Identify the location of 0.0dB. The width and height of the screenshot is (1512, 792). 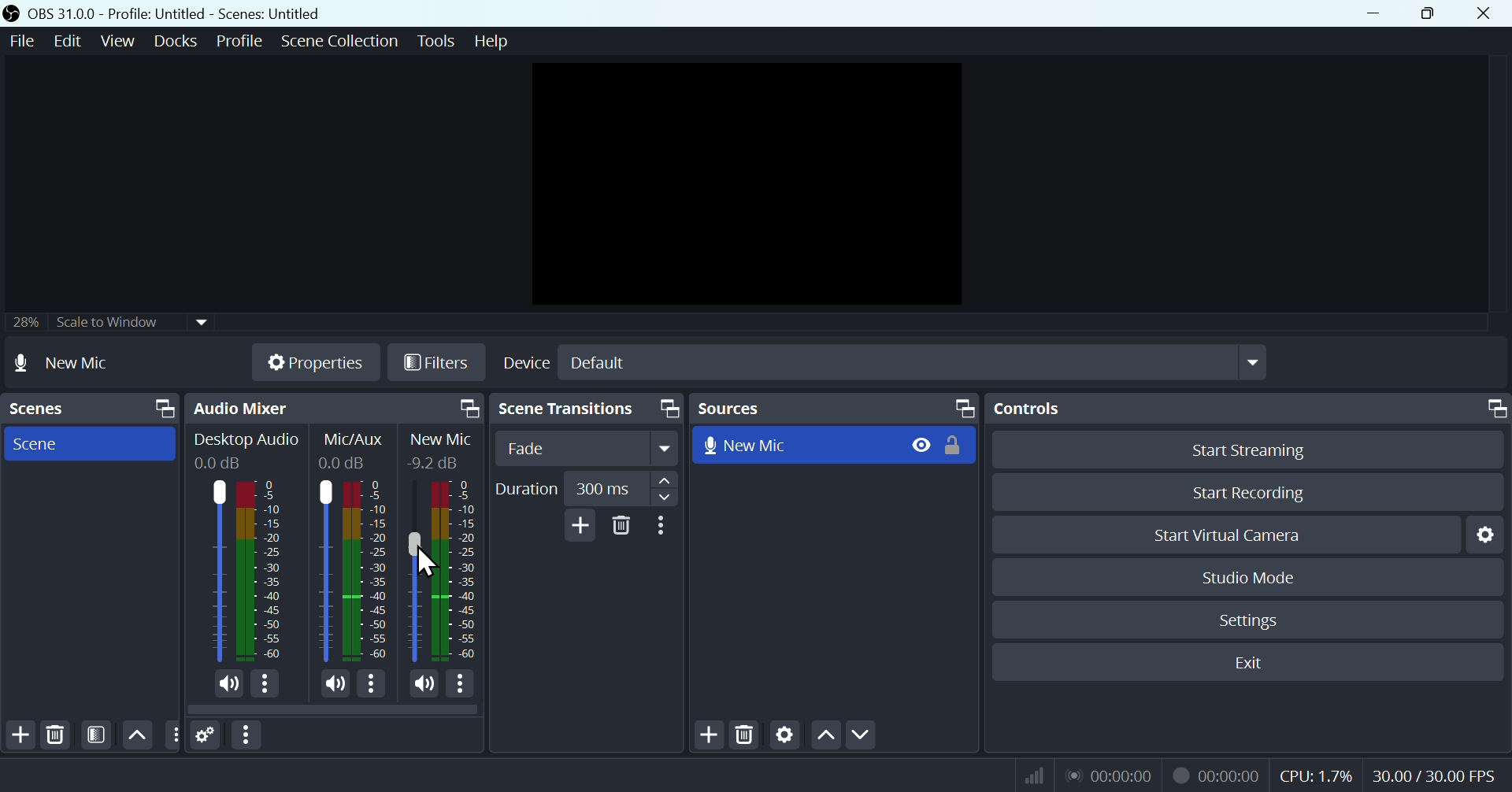
(345, 463).